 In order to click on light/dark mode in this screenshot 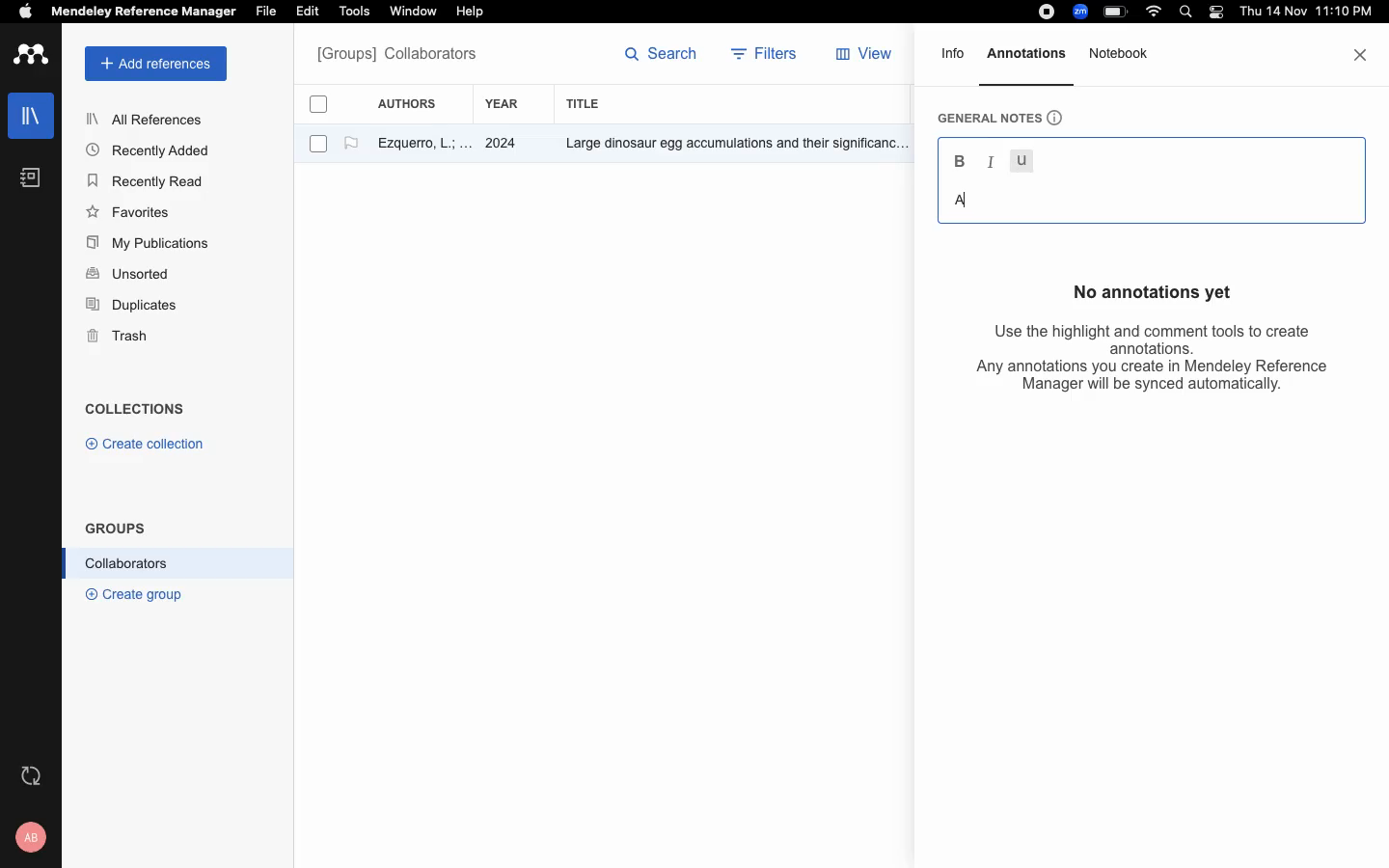, I will do `click(1215, 12)`.